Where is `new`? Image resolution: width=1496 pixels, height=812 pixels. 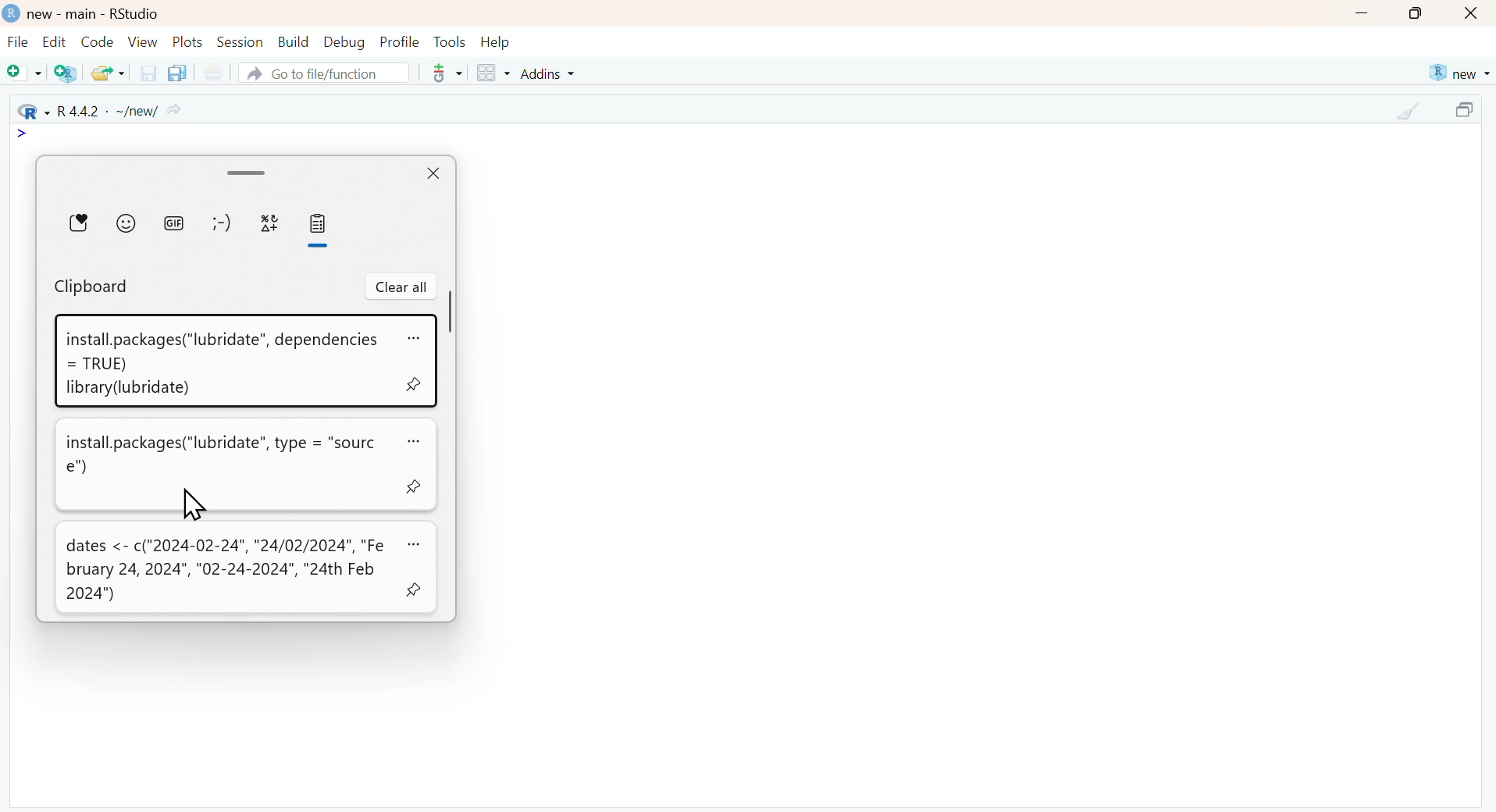 new is located at coordinates (1458, 73).